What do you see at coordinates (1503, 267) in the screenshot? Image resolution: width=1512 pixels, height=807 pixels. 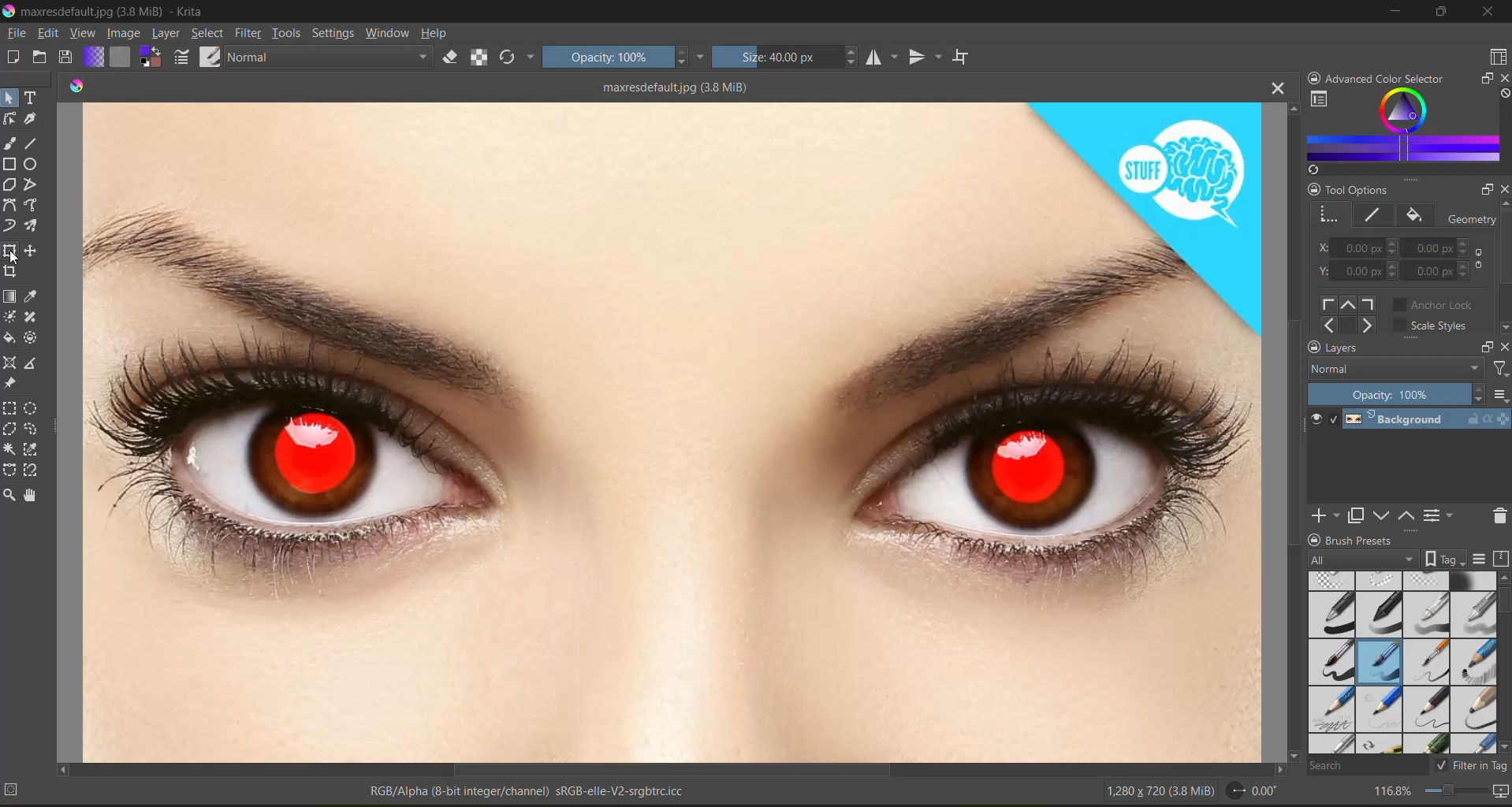 I see `vertical scroll bar` at bounding box center [1503, 267].